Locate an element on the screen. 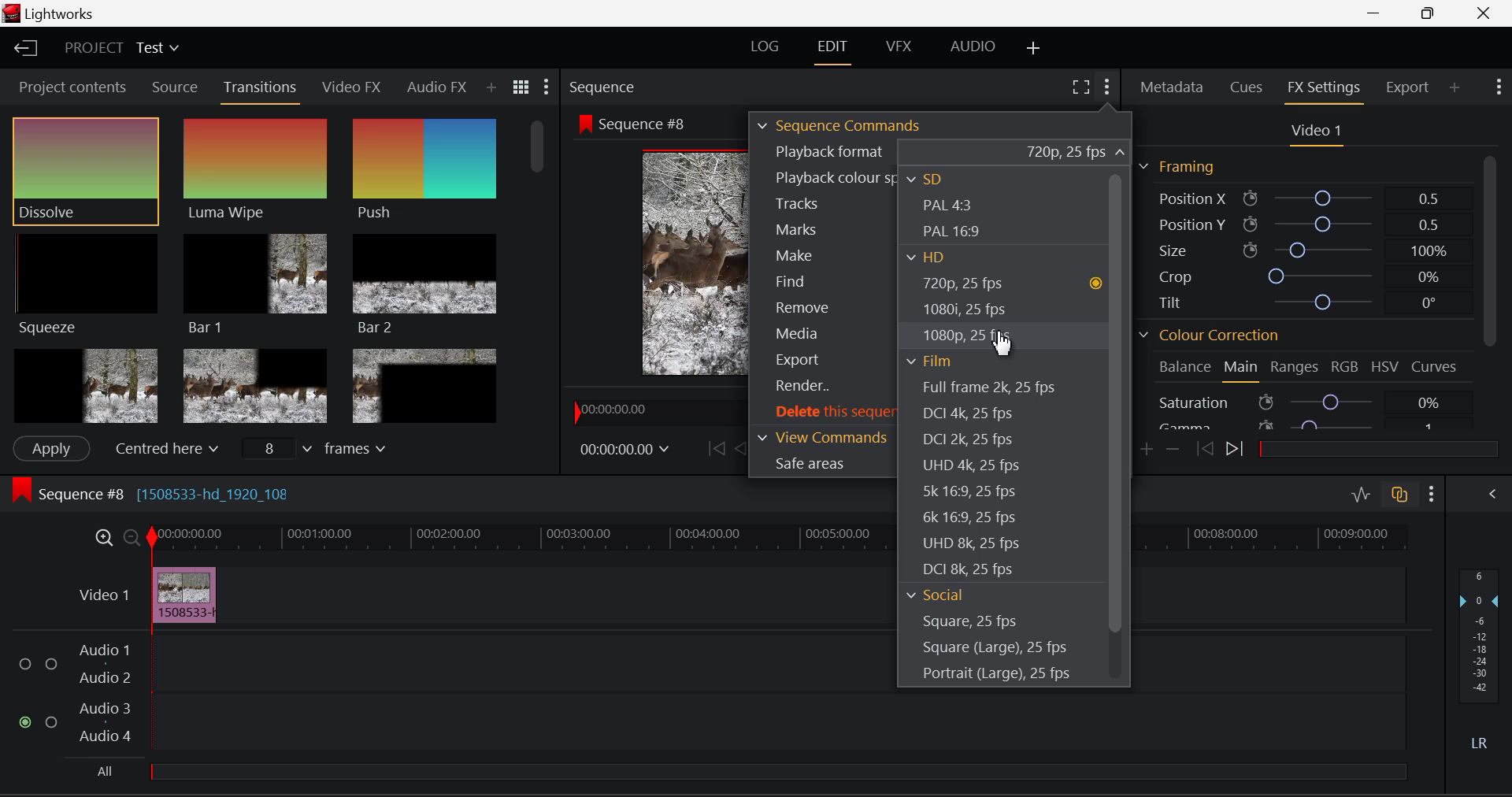 This screenshot has width=1512, height=797. Sequence #8 [1508533-hd_1920_108 is located at coordinates (198, 493).